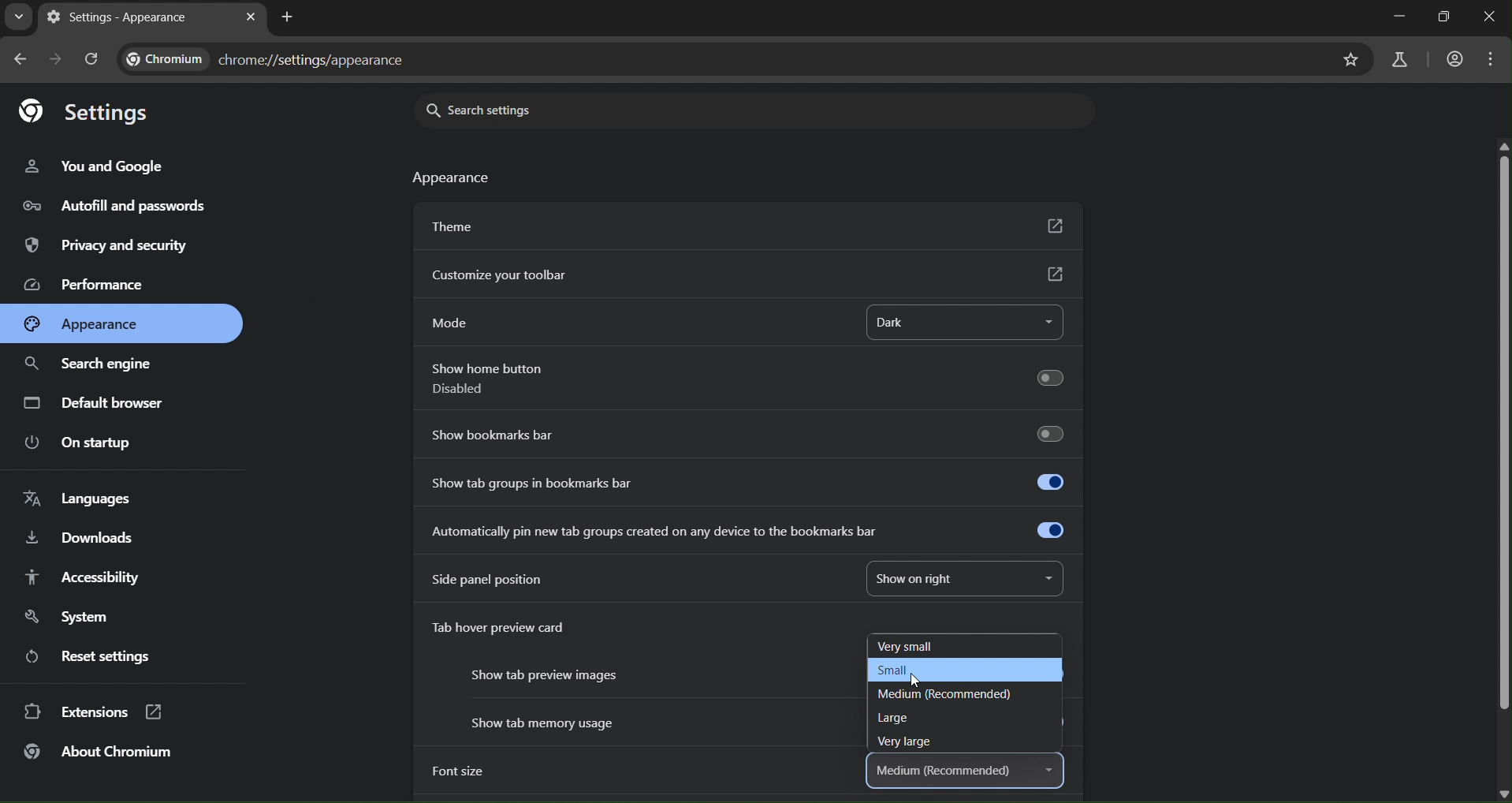 Image resolution: width=1512 pixels, height=803 pixels. Describe the element at coordinates (80, 536) in the screenshot. I see `downloads` at that location.